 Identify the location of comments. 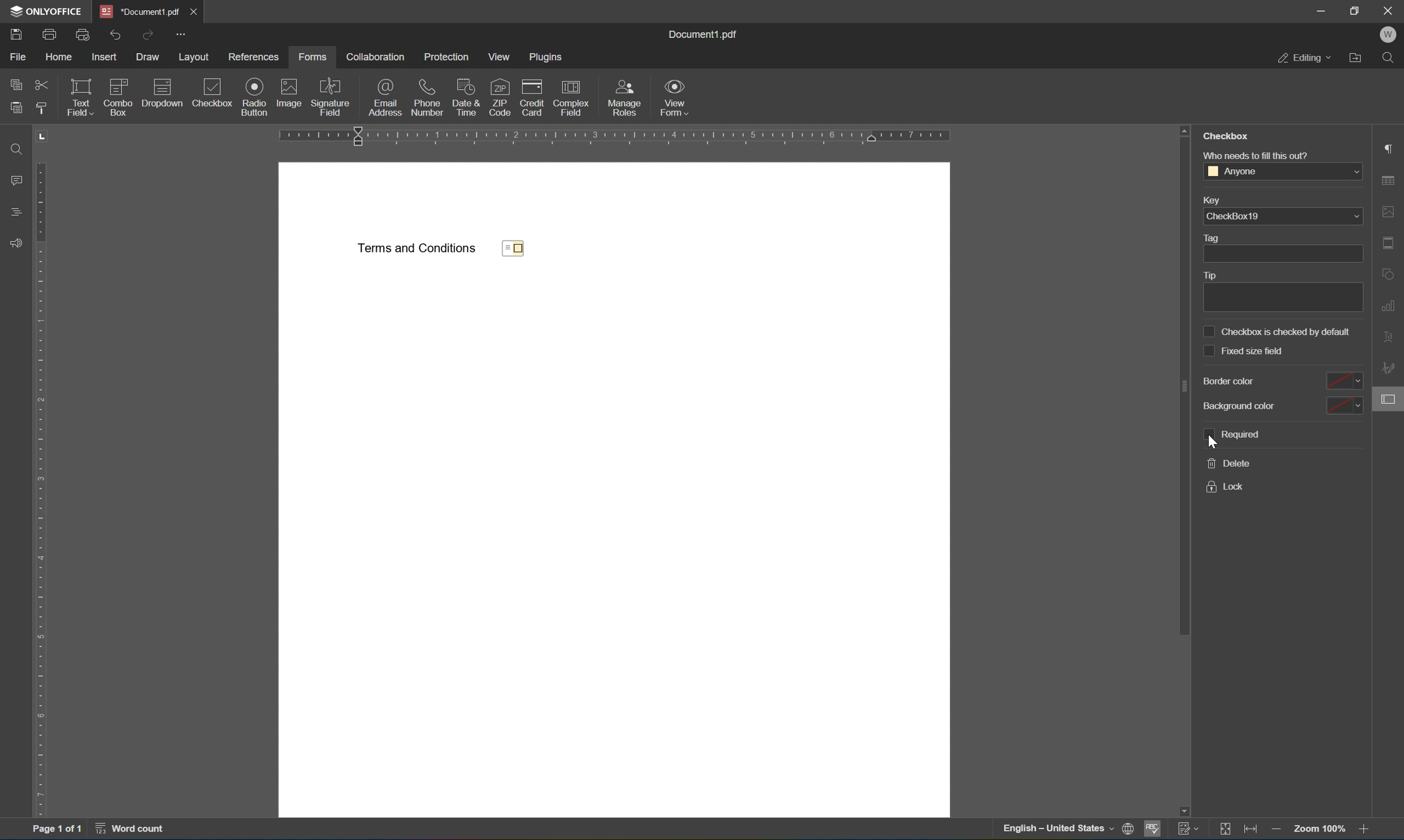
(16, 179).